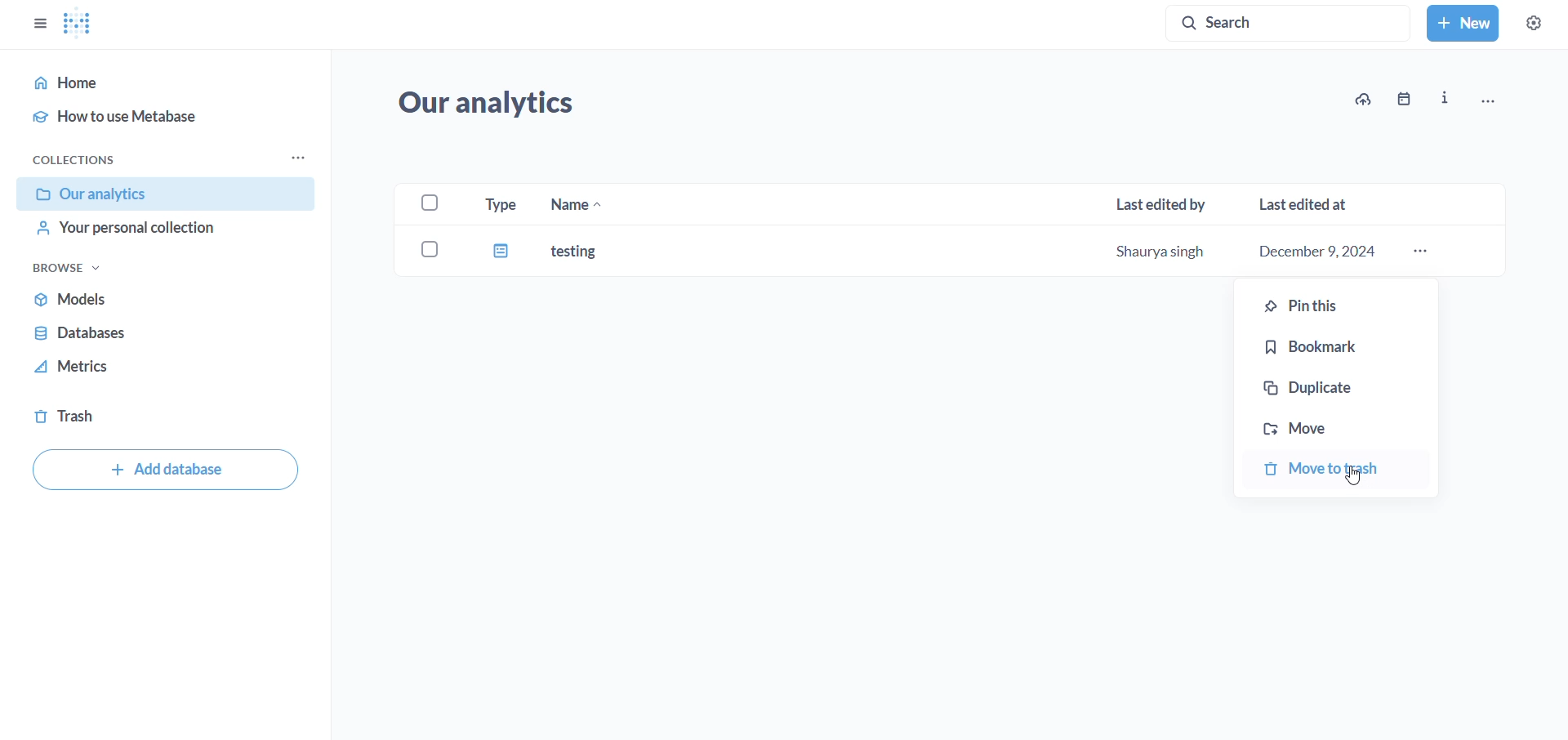  What do you see at coordinates (1357, 480) in the screenshot?
I see `cursor` at bounding box center [1357, 480].